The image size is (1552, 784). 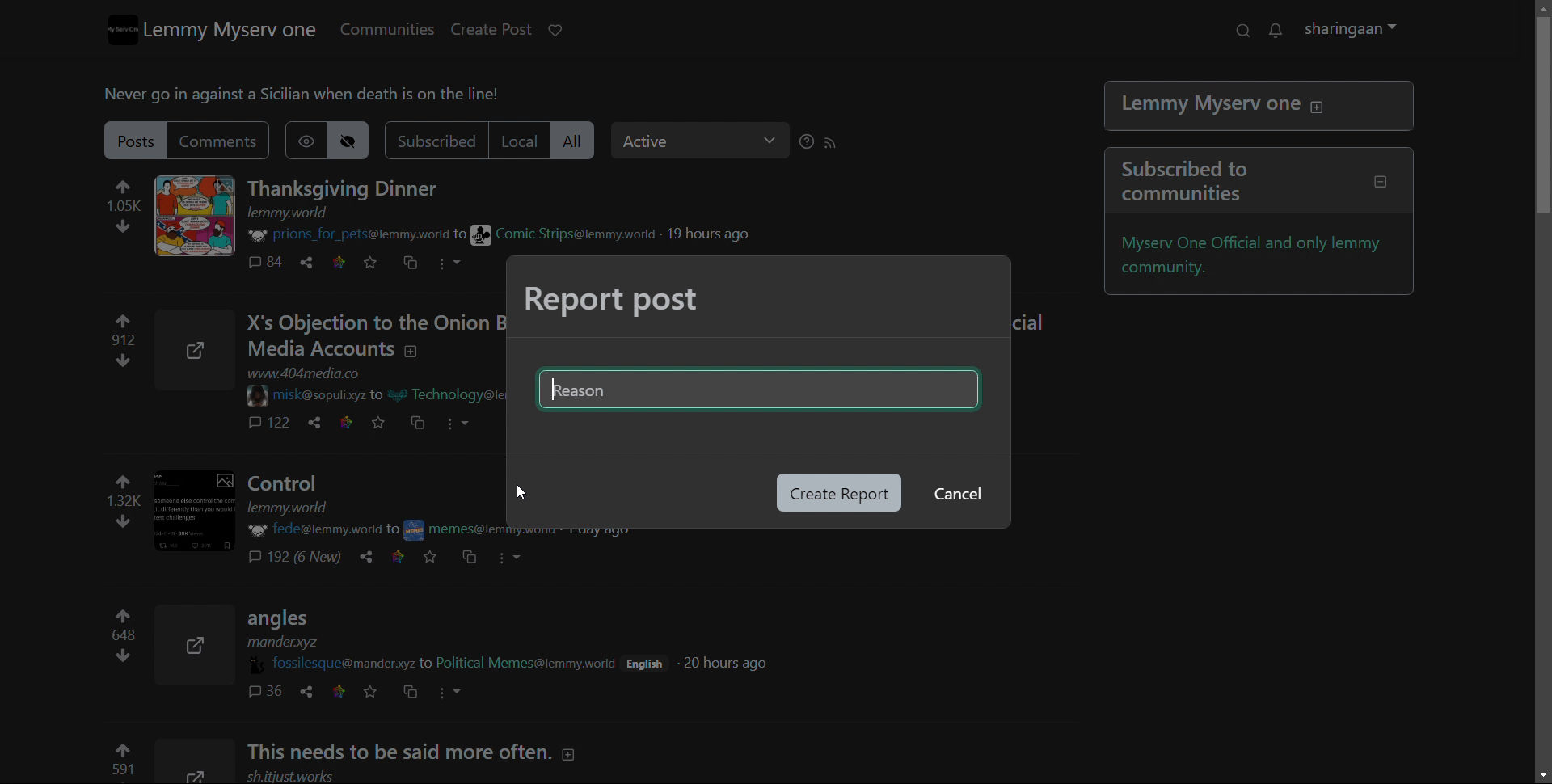 I want to click on Scroll arrow up, so click(x=1537, y=8).